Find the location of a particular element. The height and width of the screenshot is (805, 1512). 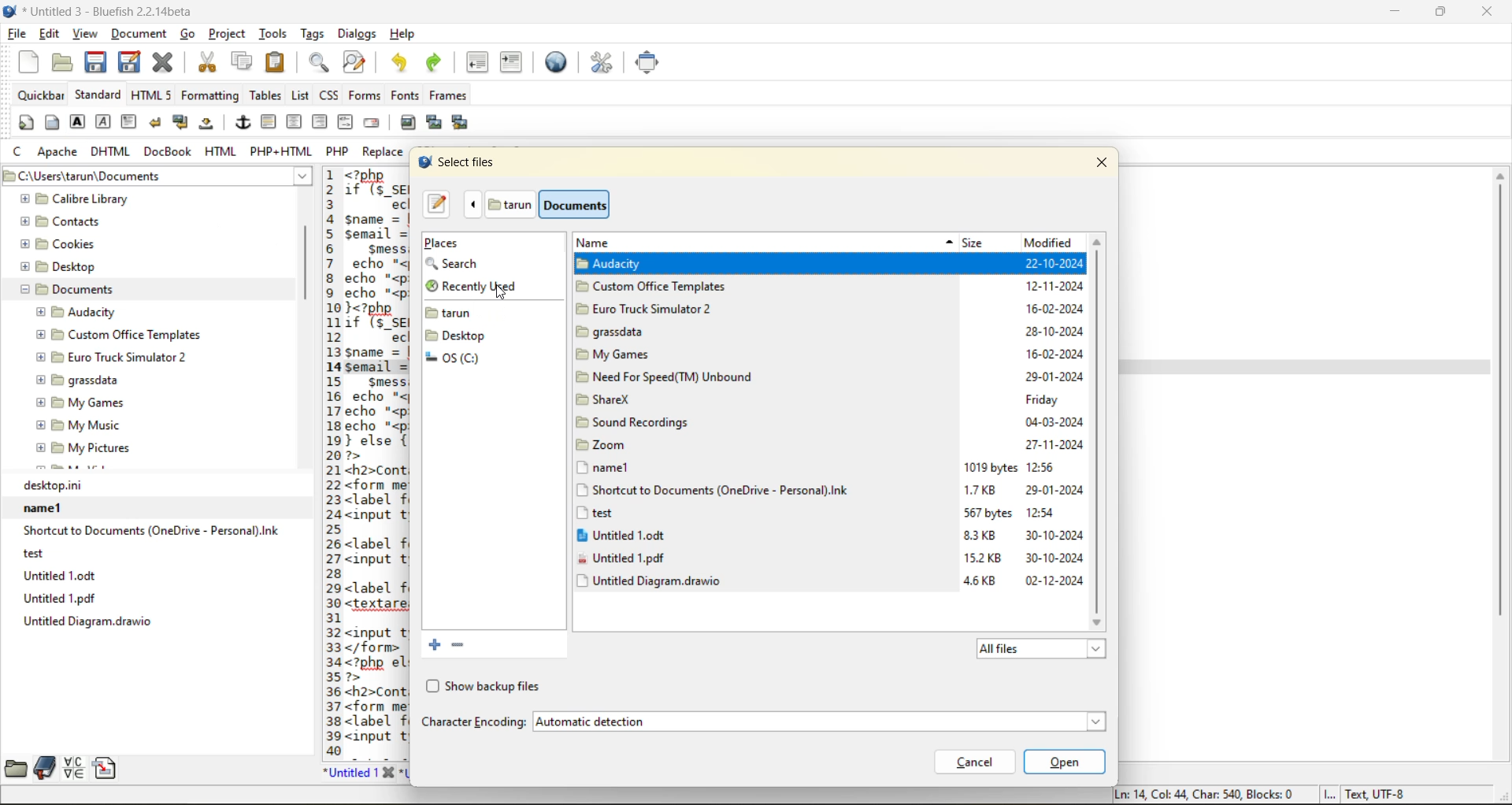

edit is located at coordinates (50, 35).